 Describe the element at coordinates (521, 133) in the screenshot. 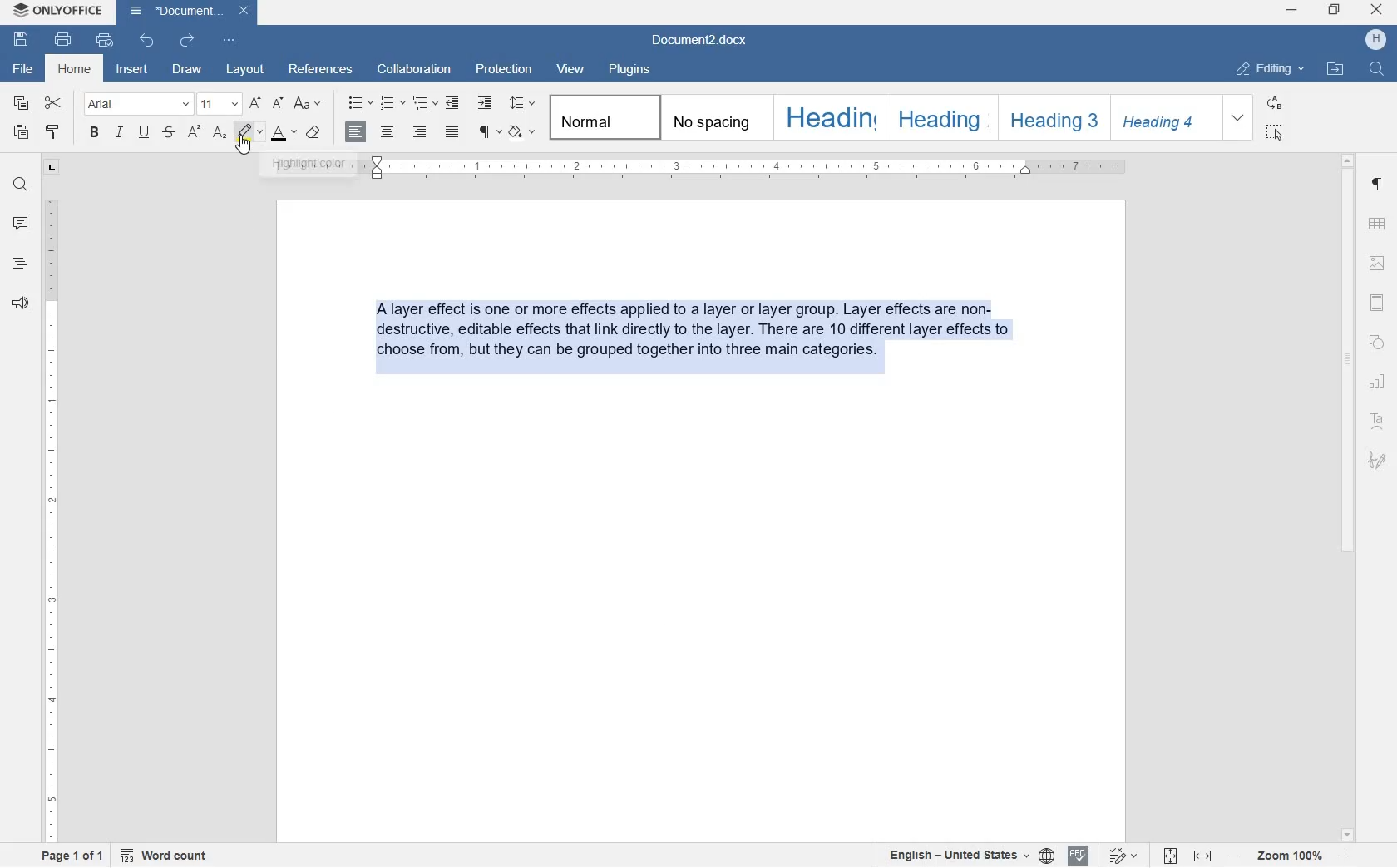

I see `SHADING` at that location.